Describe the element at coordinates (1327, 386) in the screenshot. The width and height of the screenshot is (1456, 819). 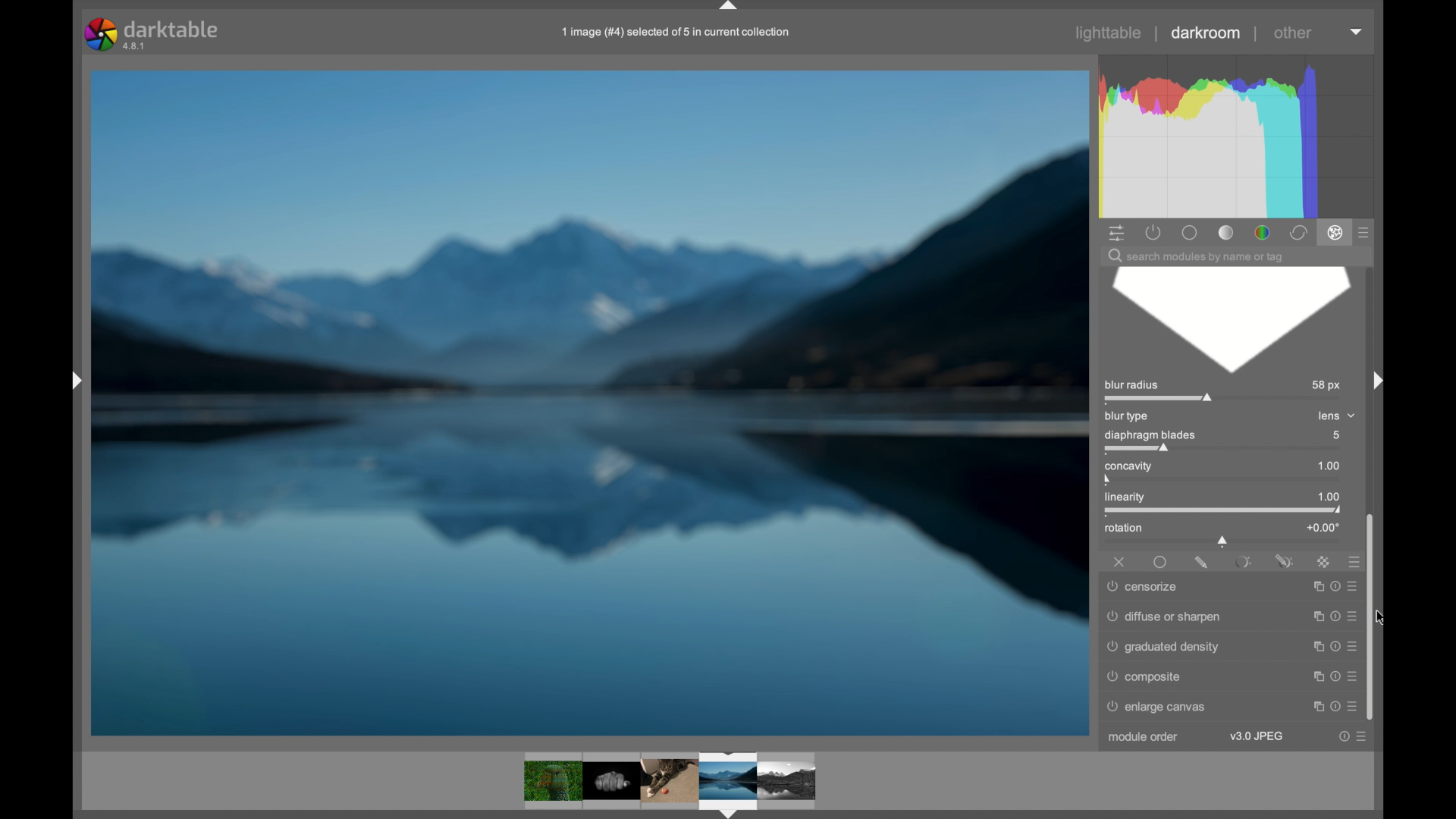
I see `58 px` at that location.